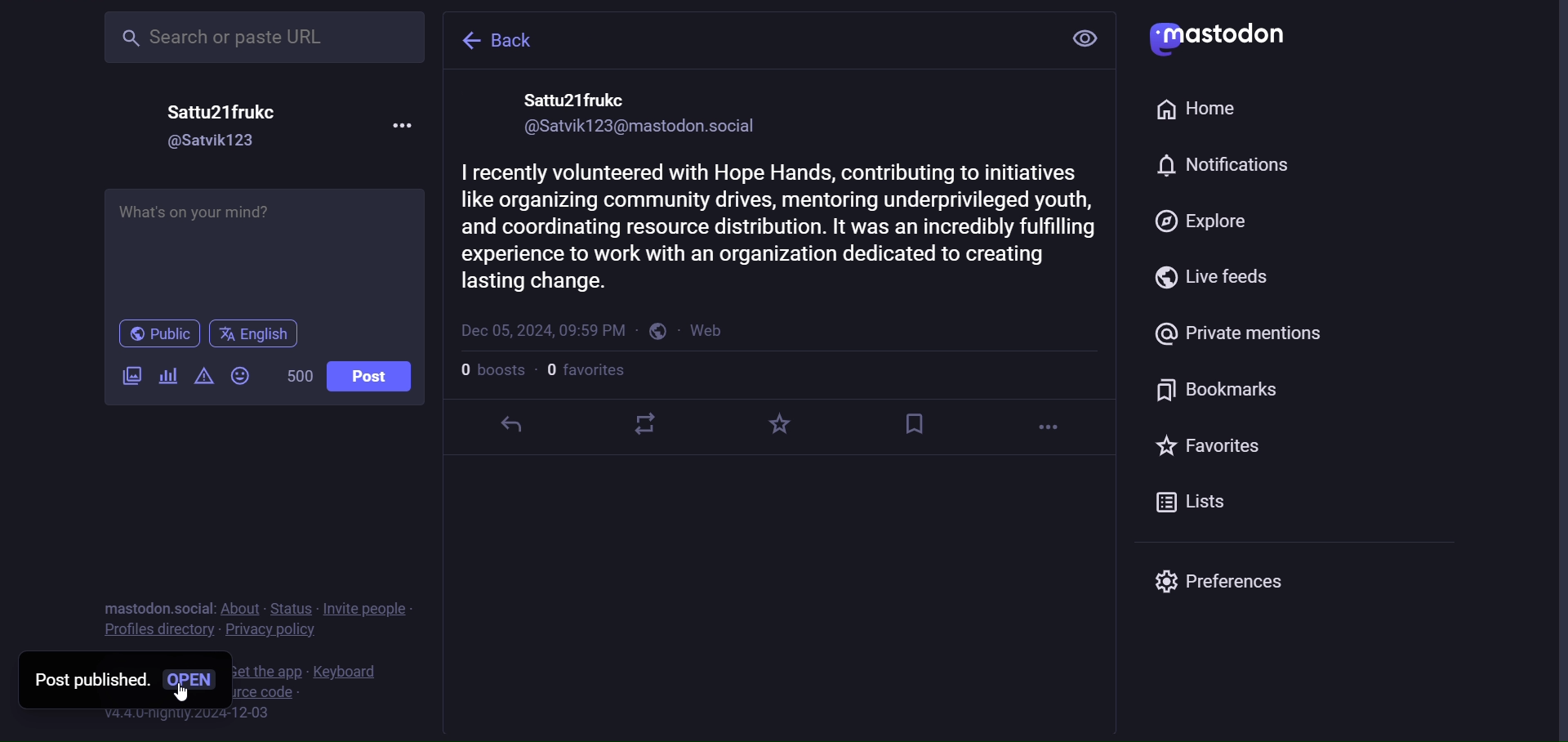 Image resolution: width=1568 pixels, height=742 pixels. Describe the element at coordinates (782, 226) in the screenshot. I see `volunteering activity post` at that location.